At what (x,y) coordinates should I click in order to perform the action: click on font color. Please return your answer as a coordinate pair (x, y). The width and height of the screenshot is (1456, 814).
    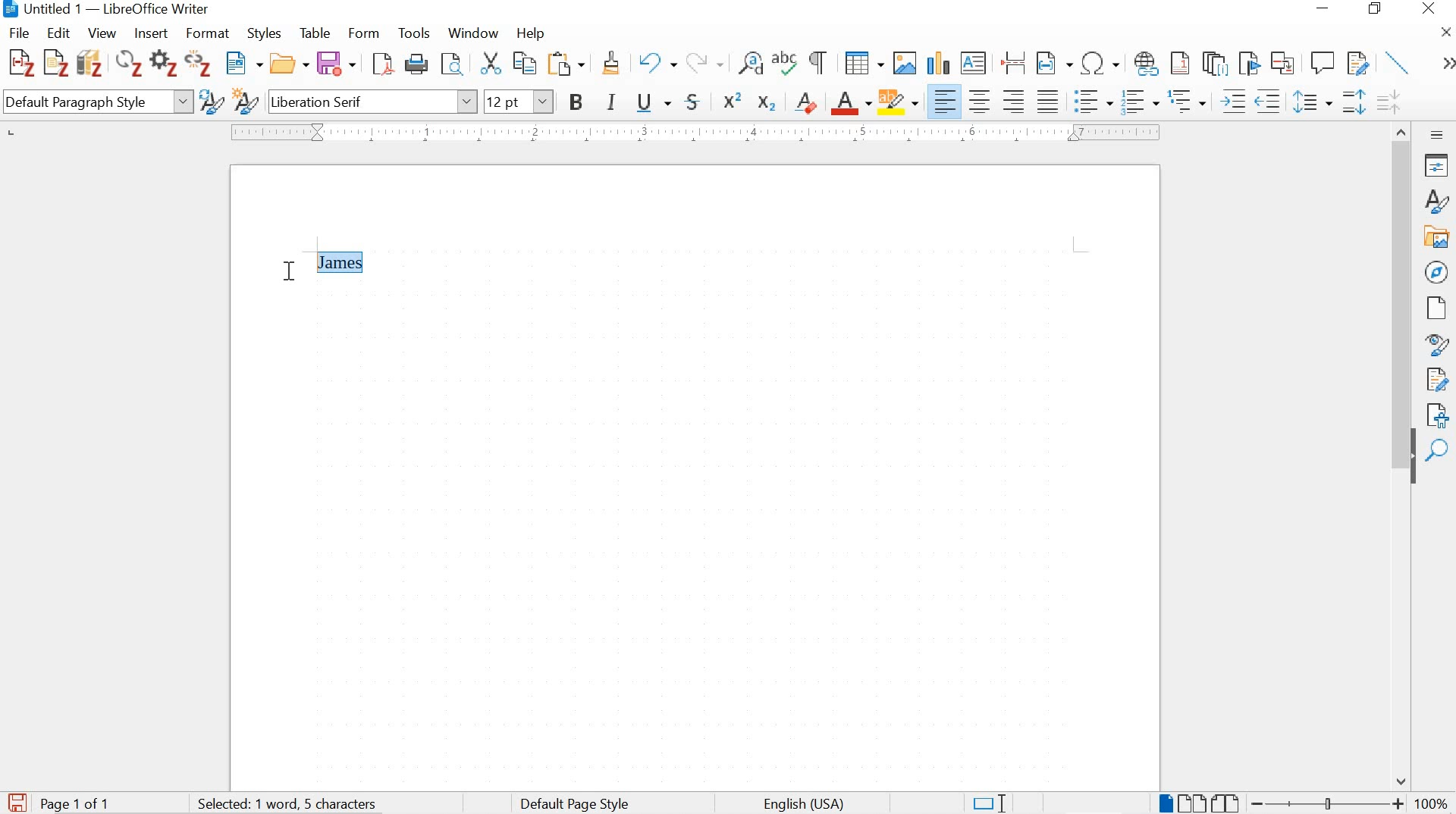
    Looking at the image, I should click on (852, 104).